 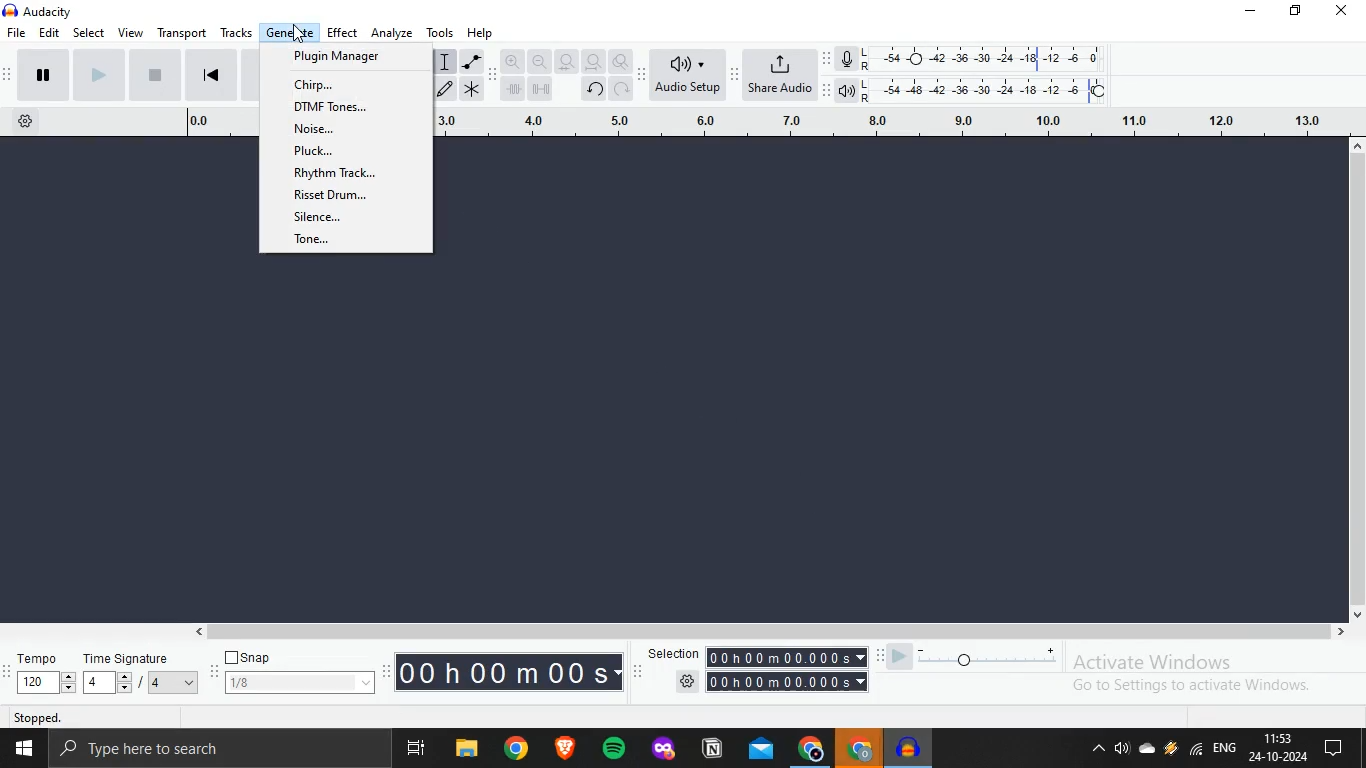 I want to click on Fit Project, so click(x=593, y=61).